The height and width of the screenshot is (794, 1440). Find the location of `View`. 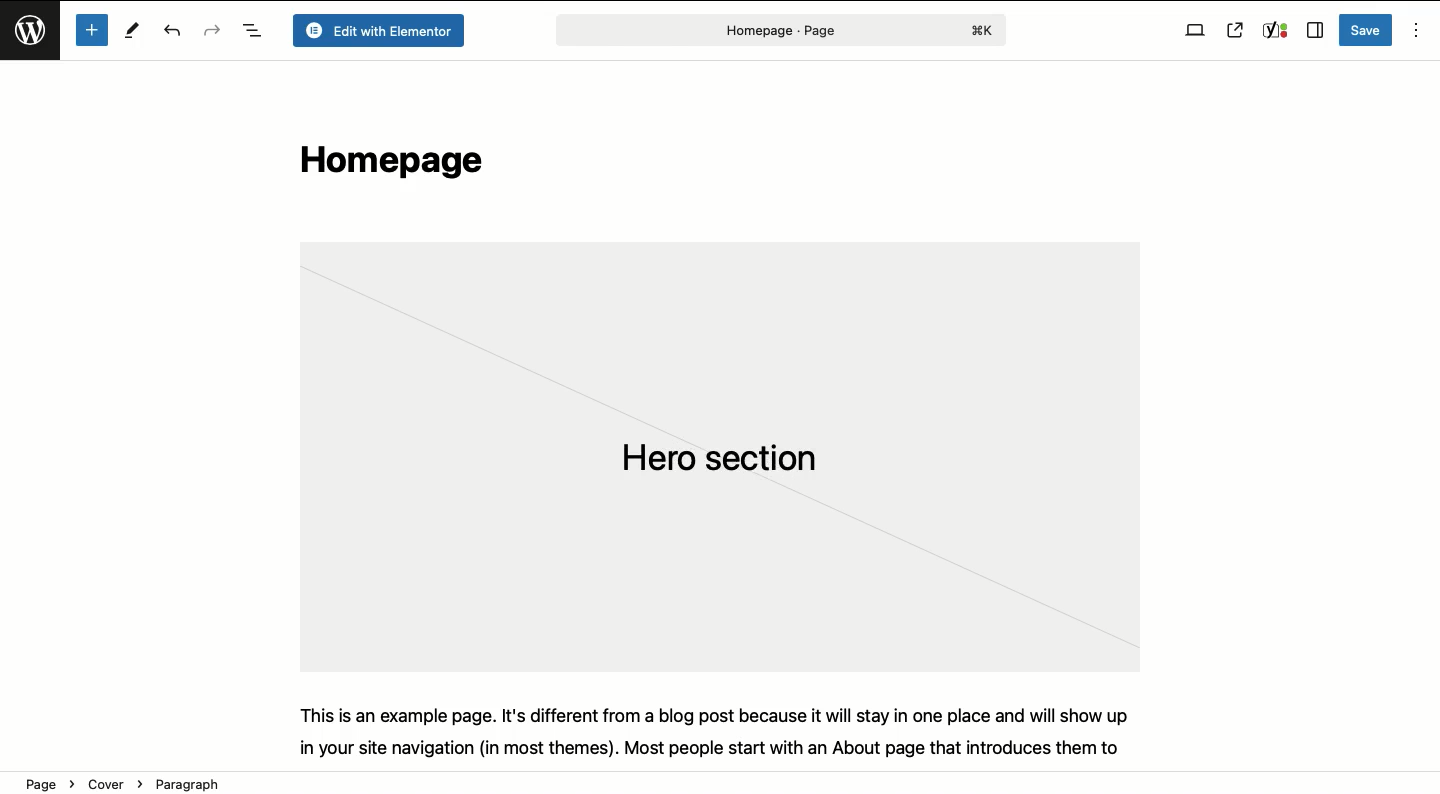

View is located at coordinates (1195, 31).